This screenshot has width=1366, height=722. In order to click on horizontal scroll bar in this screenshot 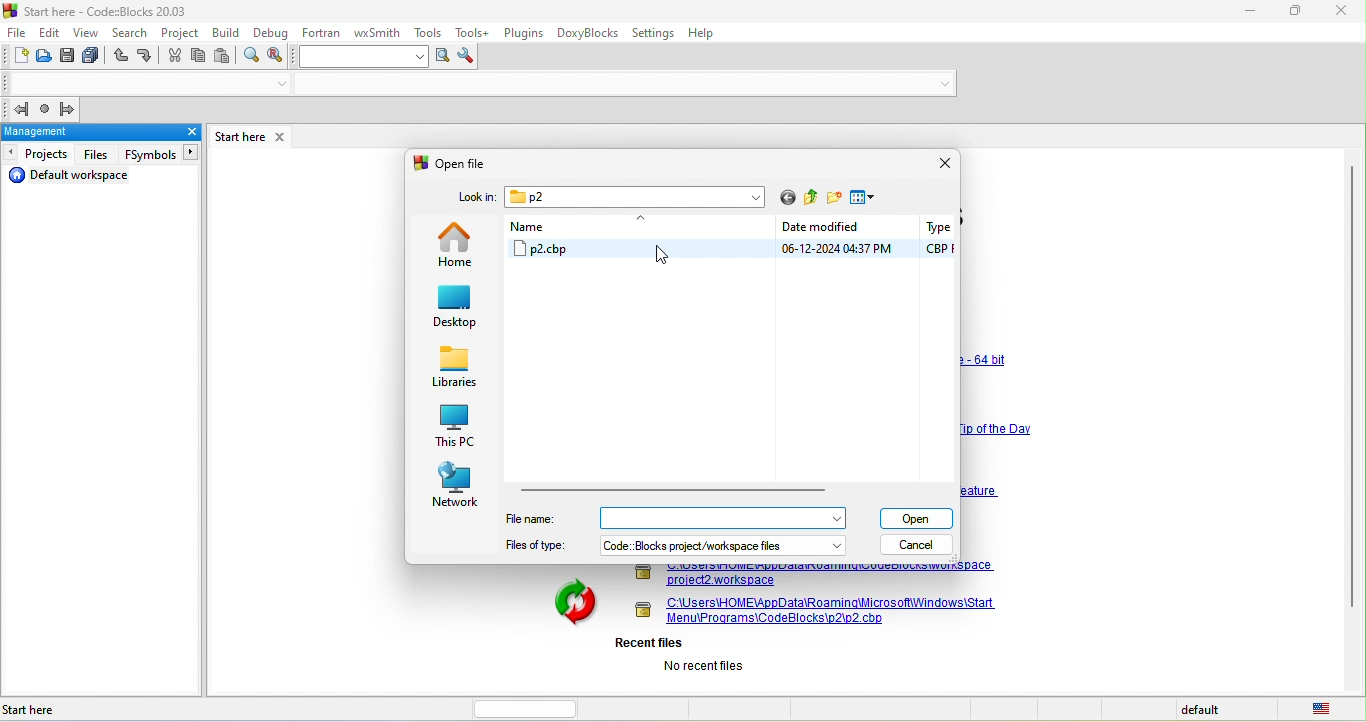, I will do `click(673, 491)`.